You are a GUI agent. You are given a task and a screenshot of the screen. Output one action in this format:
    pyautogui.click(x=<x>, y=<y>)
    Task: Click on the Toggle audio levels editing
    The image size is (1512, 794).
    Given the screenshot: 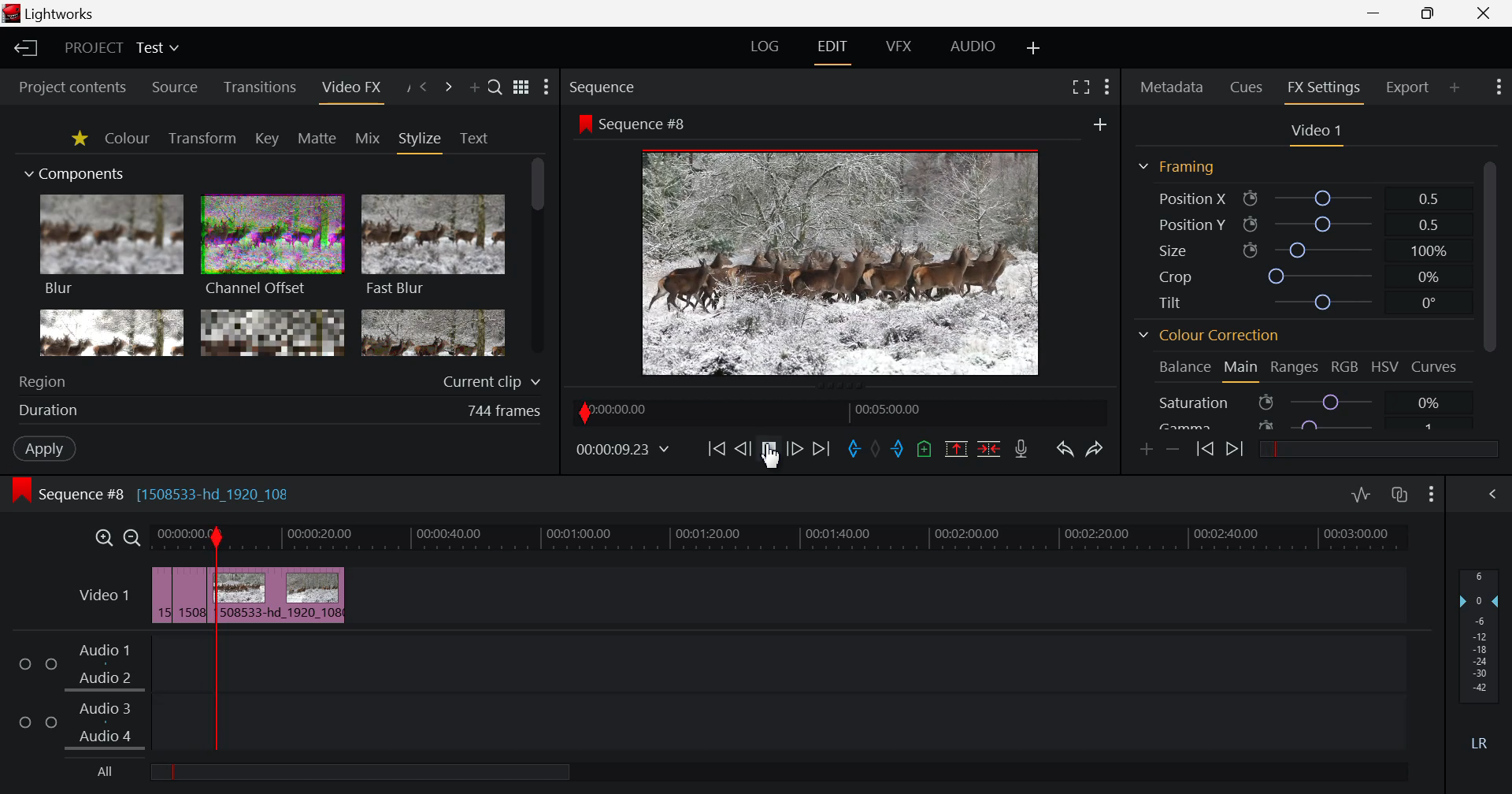 What is the action you would take?
    pyautogui.click(x=1361, y=495)
    